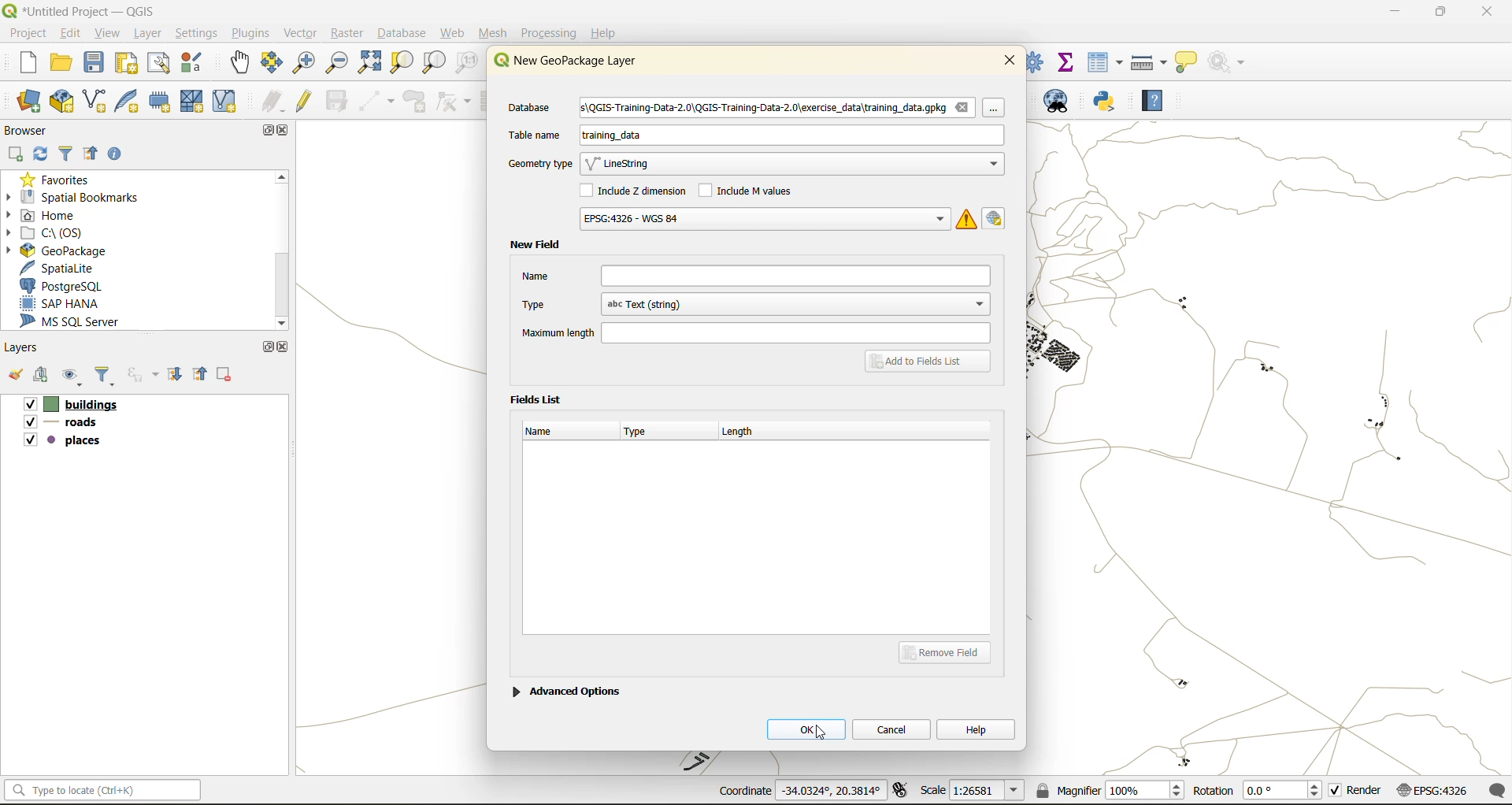 The image size is (1512, 805). What do you see at coordinates (976, 729) in the screenshot?
I see `help` at bounding box center [976, 729].